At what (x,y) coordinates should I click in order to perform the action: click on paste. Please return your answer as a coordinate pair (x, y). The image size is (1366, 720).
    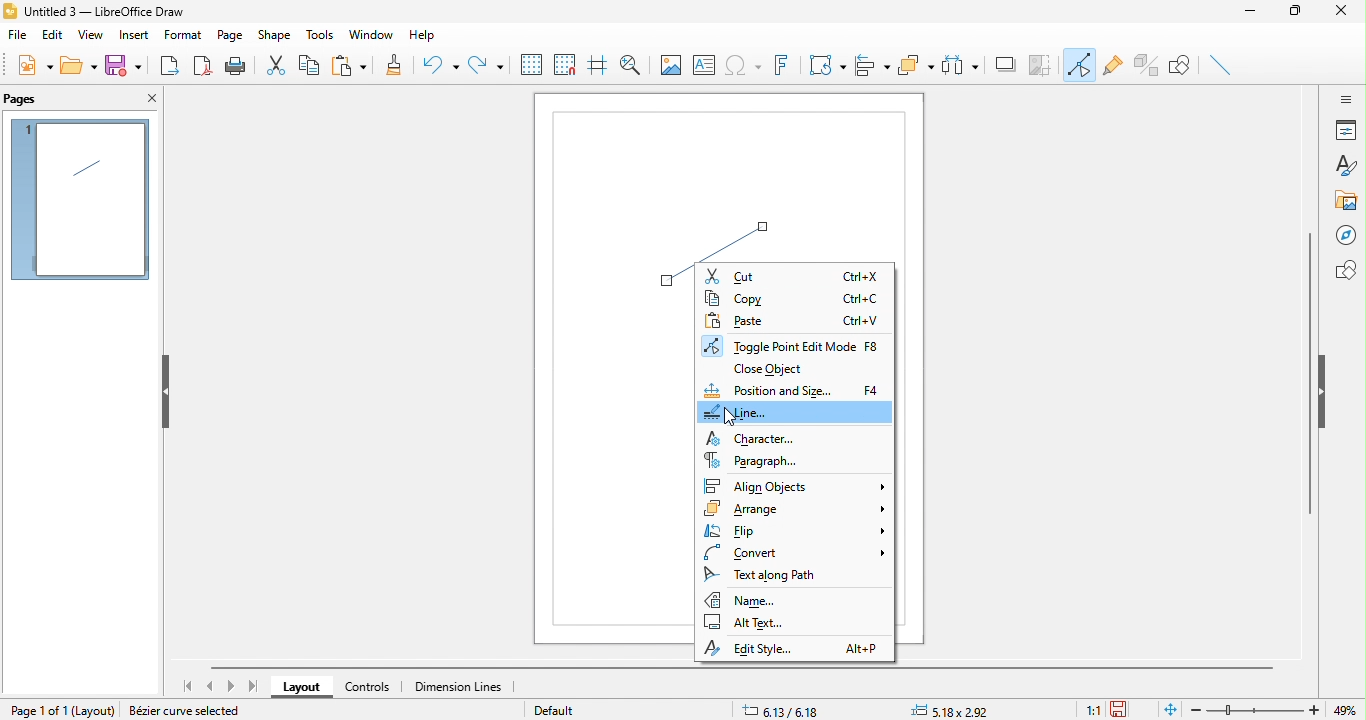
    Looking at the image, I should click on (794, 320).